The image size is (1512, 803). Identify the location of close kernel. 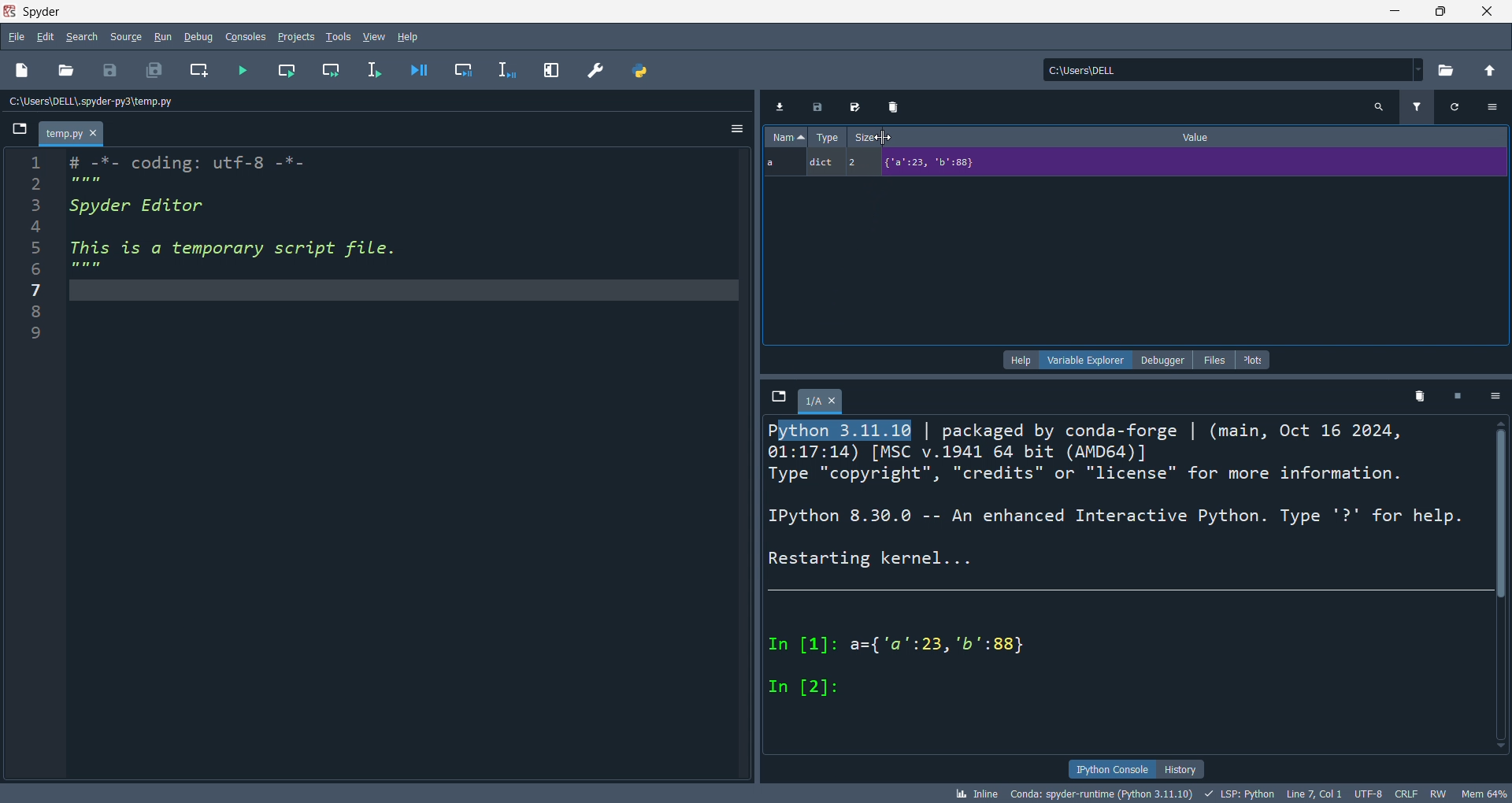
(1459, 398).